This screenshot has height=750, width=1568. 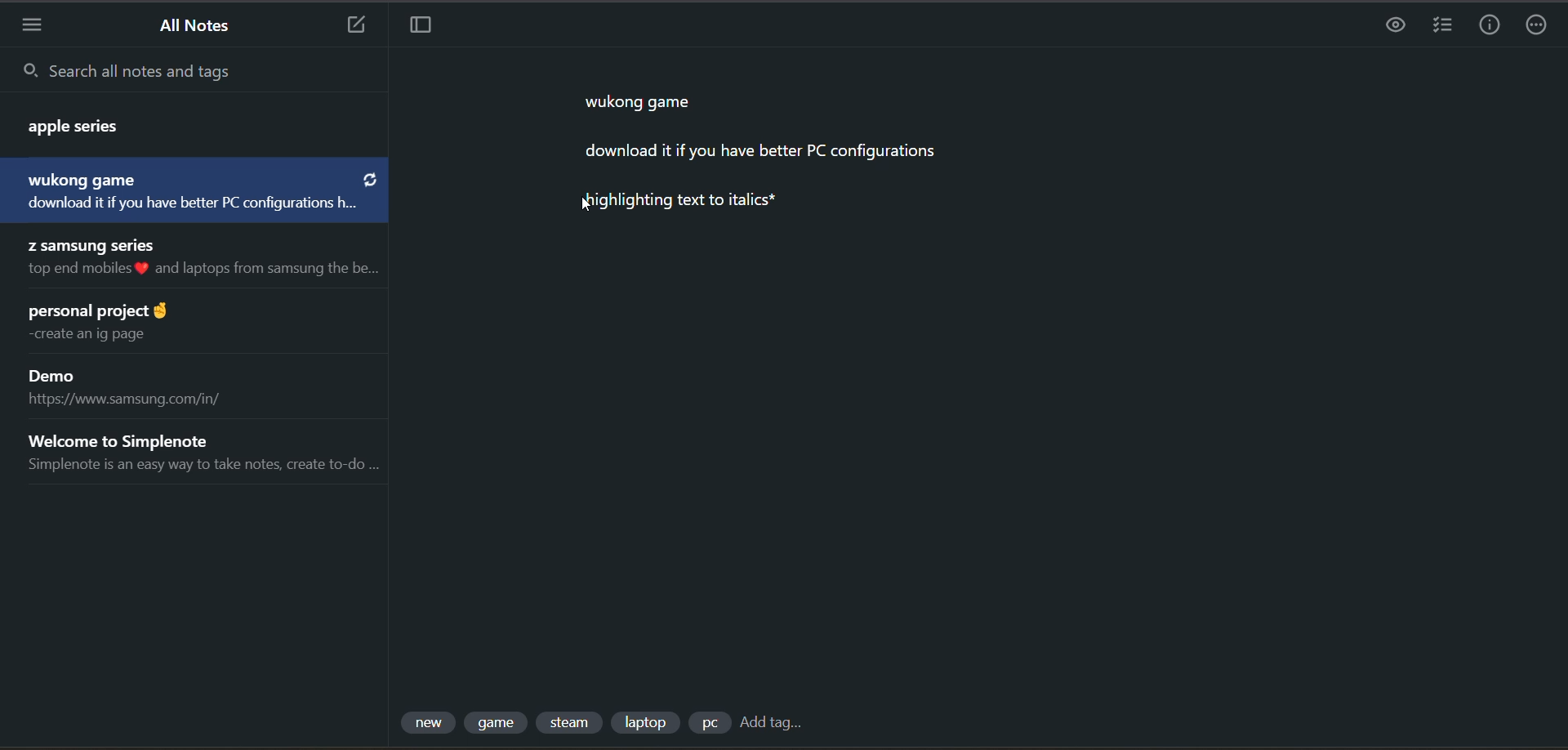 I want to click on add tag, so click(x=770, y=725).